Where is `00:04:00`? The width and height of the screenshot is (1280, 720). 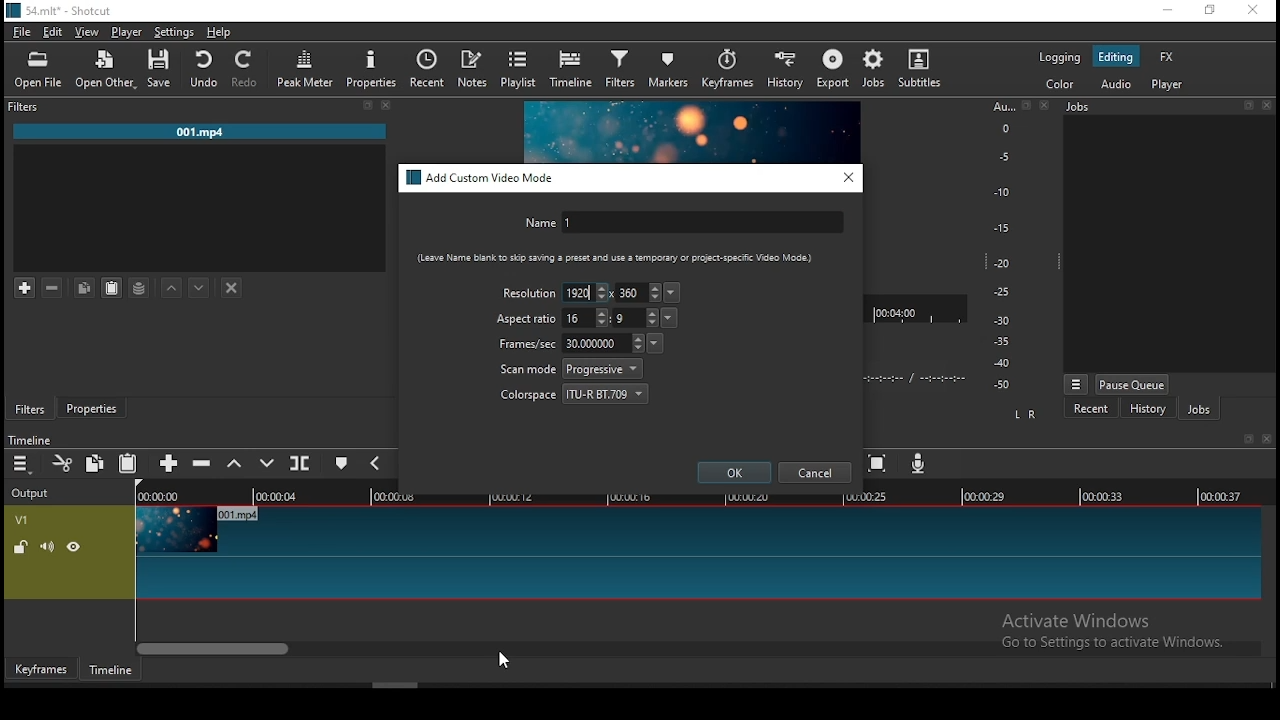 00:04:00 is located at coordinates (898, 309).